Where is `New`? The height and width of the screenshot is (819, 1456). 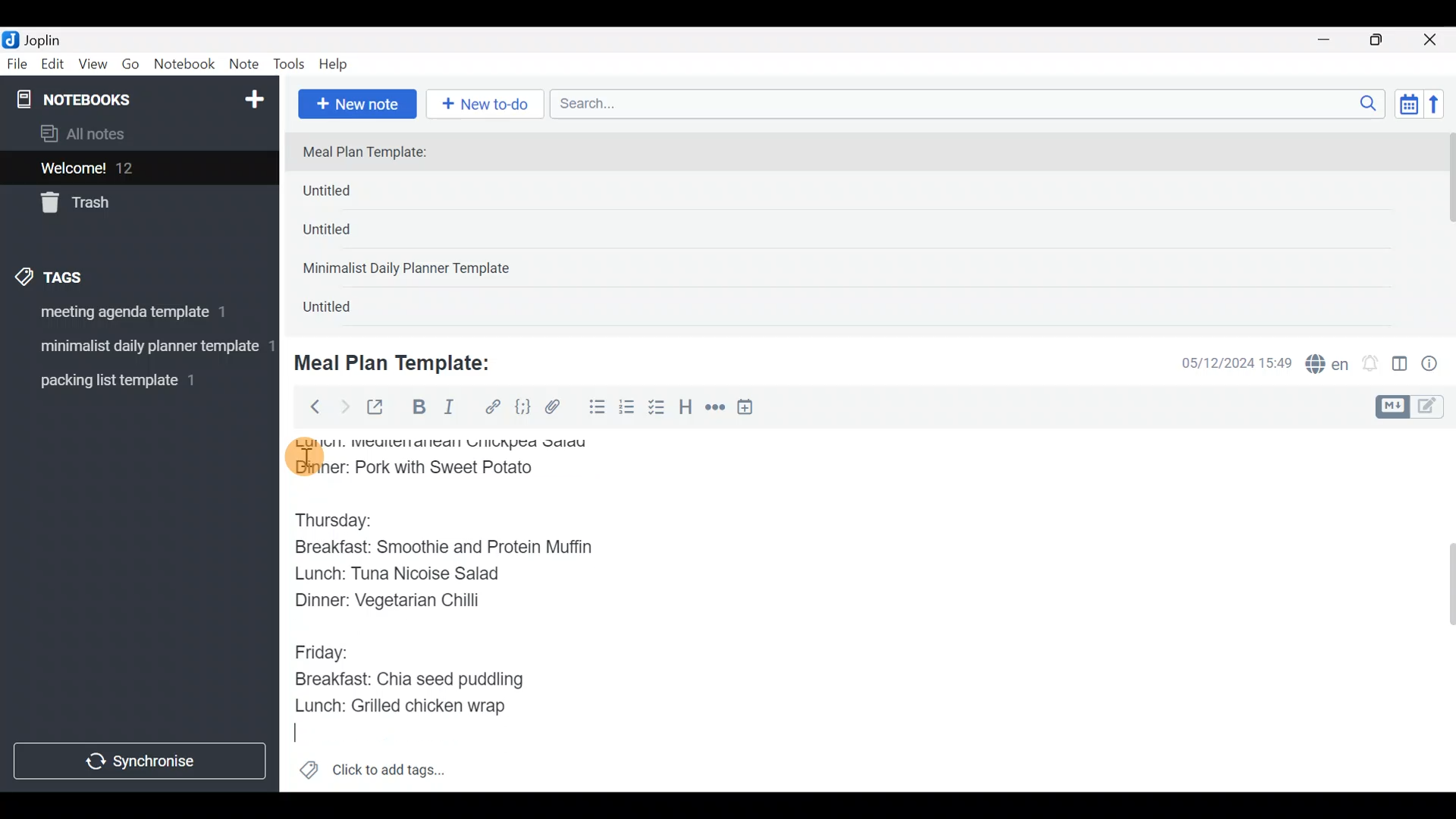 New is located at coordinates (253, 96).